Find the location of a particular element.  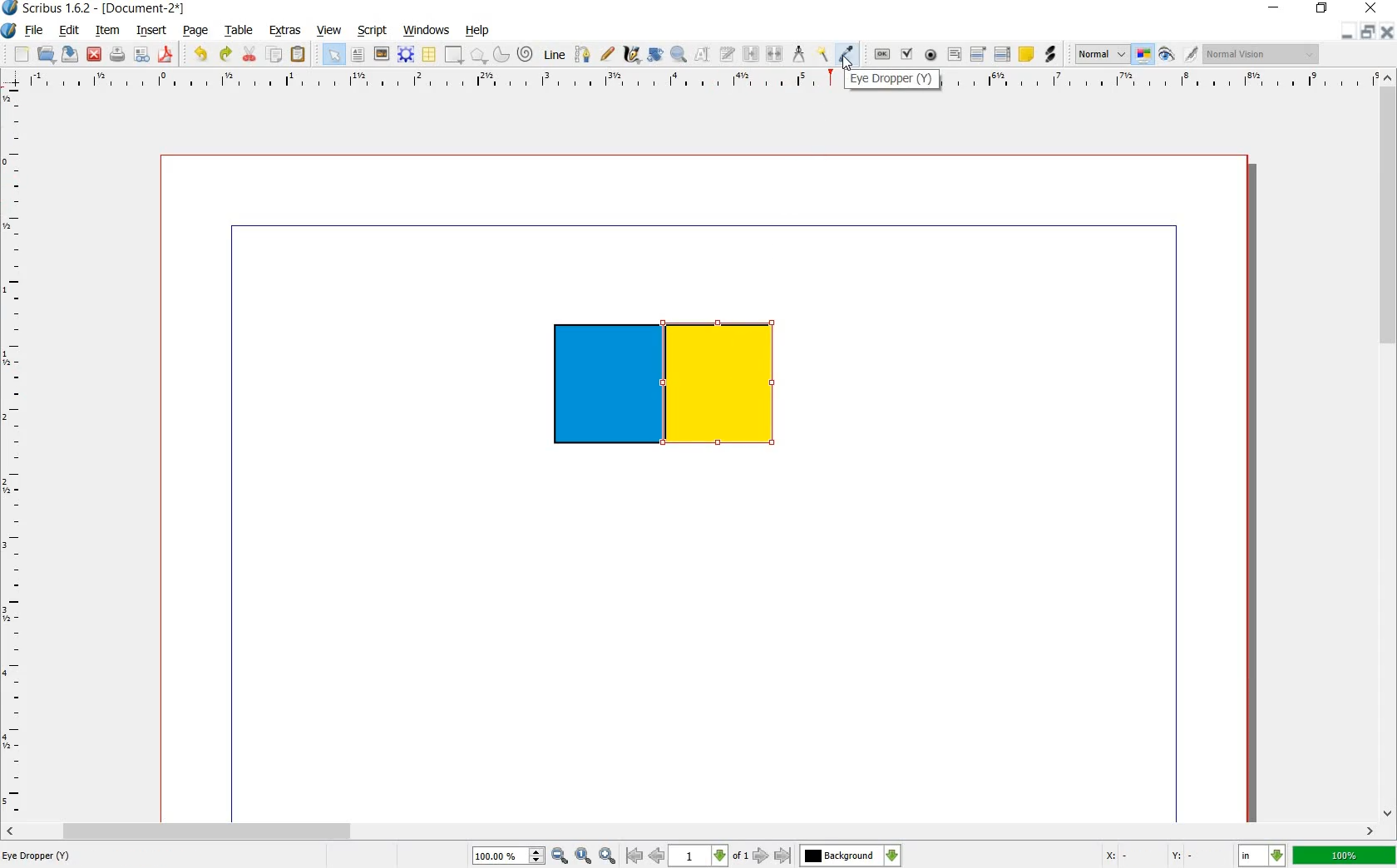

item is located at coordinates (108, 31).